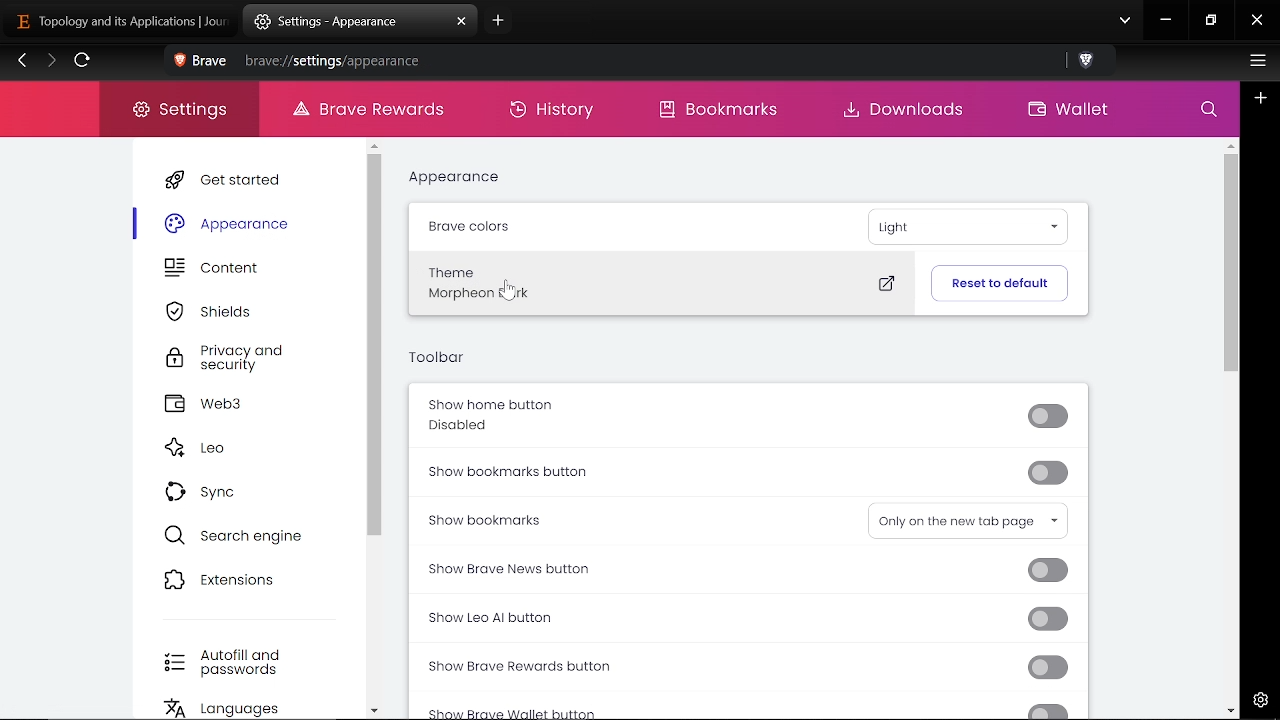 This screenshot has height=720, width=1280. I want to click on Search engine, so click(236, 535).